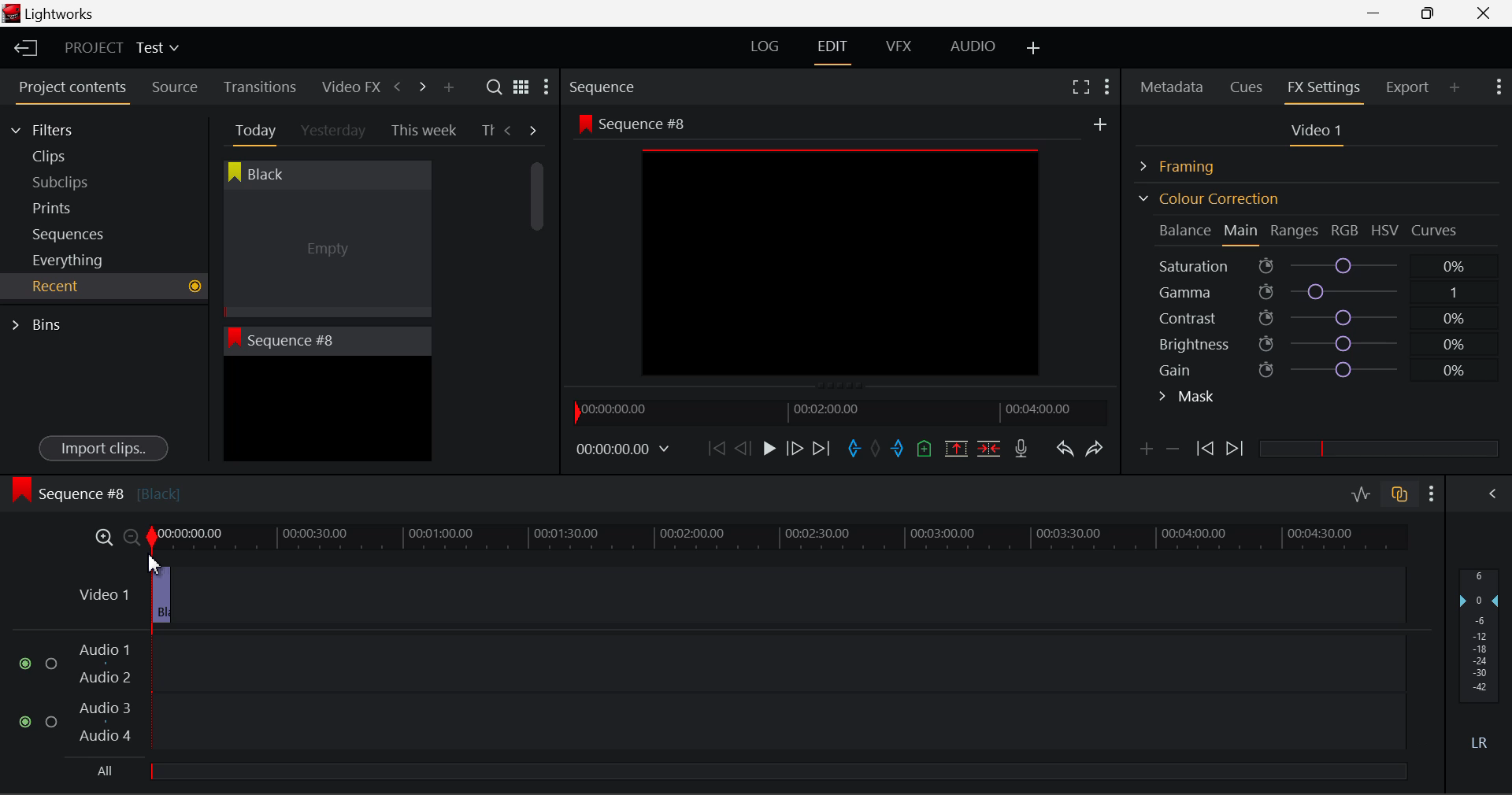 This screenshot has width=1512, height=795. What do you see at coordinates (42, 323) in the screenshot?
I see `Bins` at bounding box center [42, 323].